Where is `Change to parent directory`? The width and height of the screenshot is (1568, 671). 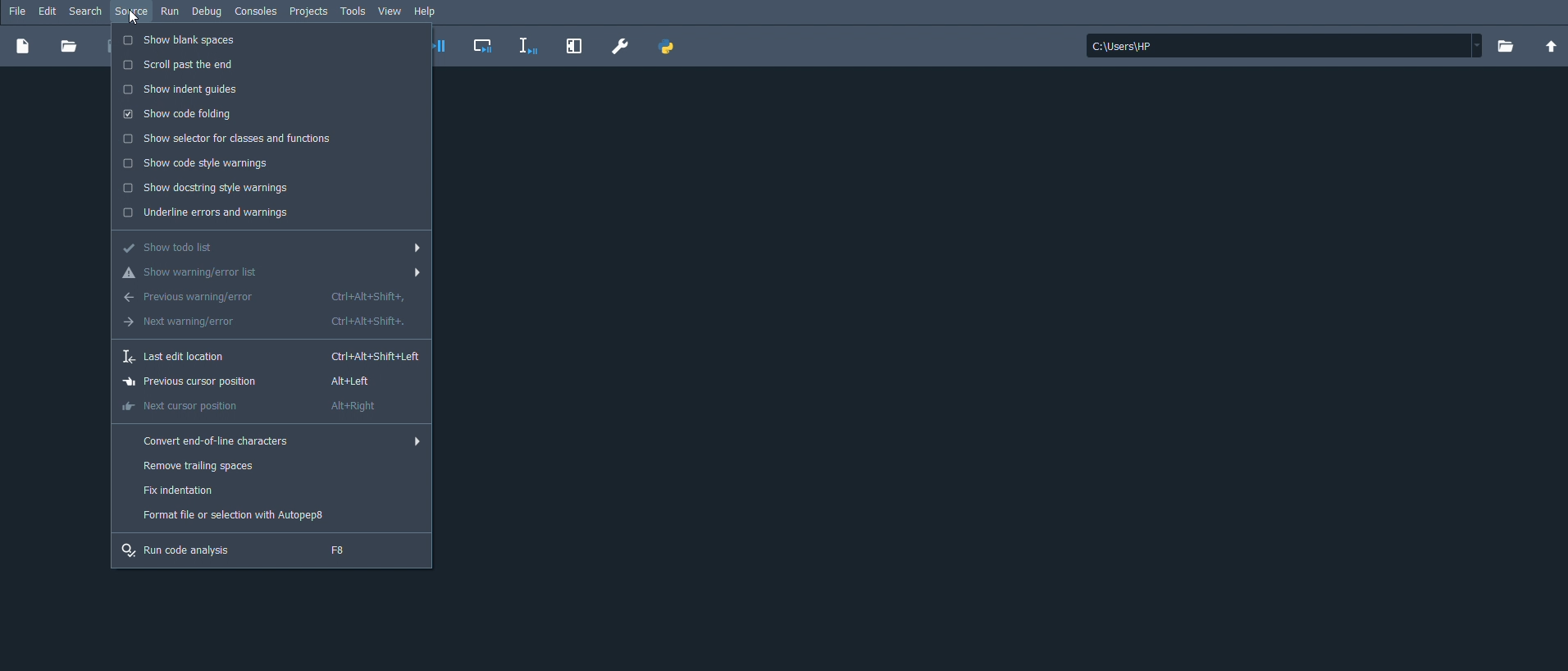 Change to parent directory is located at coordinates (1550, 47).